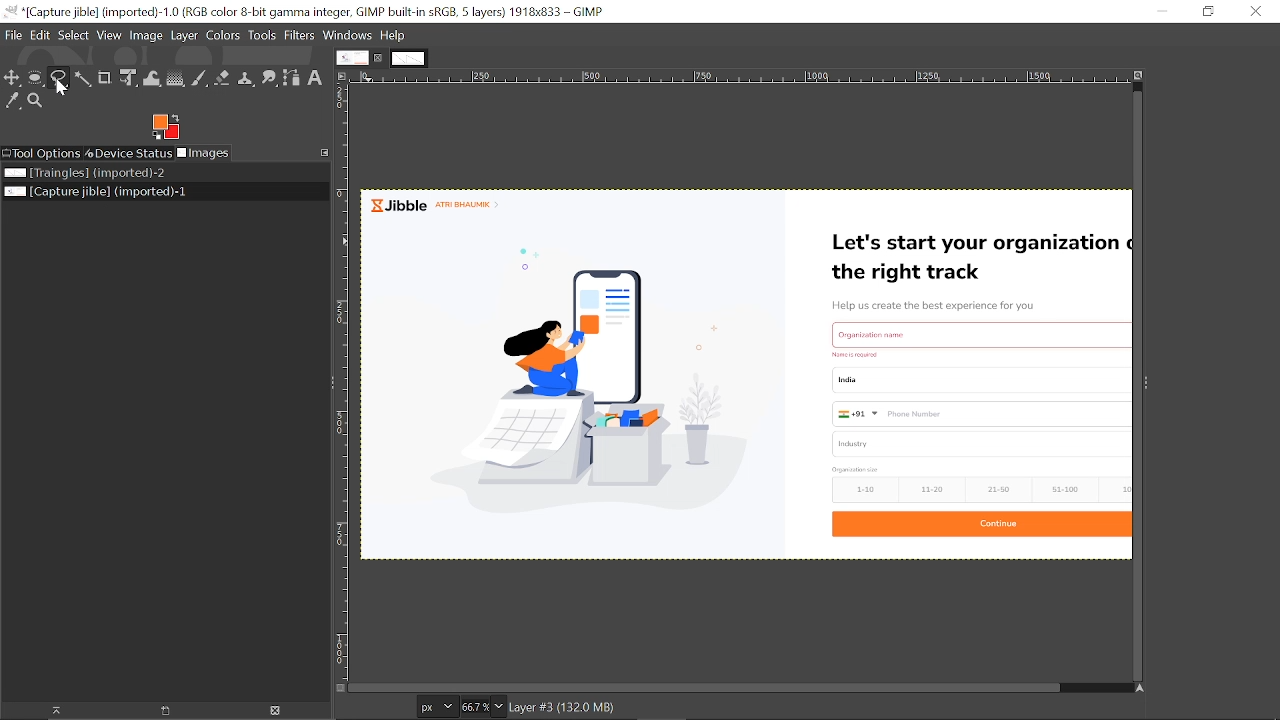 Image resolution: width=1280 pixels, height=720 pixels. Describe the element at coordinates (316, 78) in the screenshot. I see `text tool` at that location.